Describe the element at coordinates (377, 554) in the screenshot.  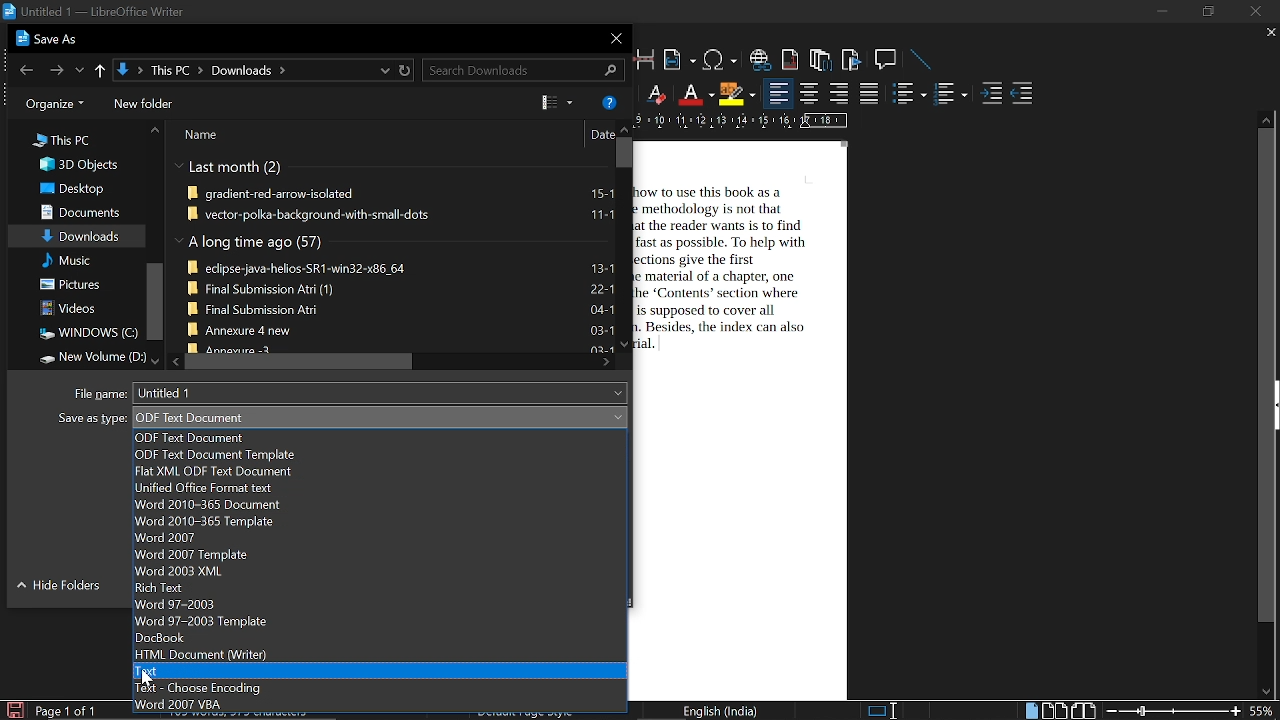
I see `word 2007 template` at that location.